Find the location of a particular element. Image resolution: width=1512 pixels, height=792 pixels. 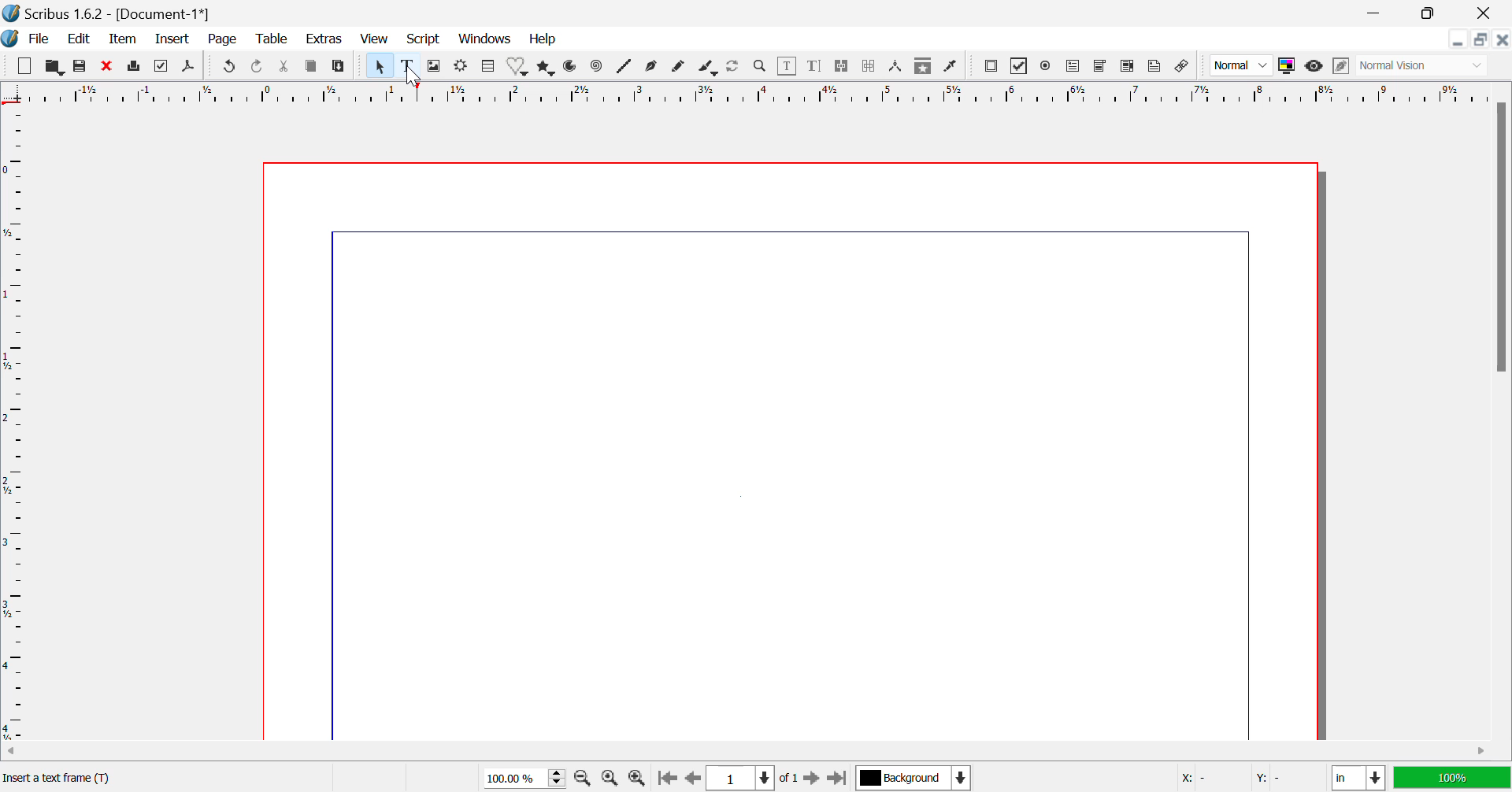

Previous Page is located at coordinates (691, 779).